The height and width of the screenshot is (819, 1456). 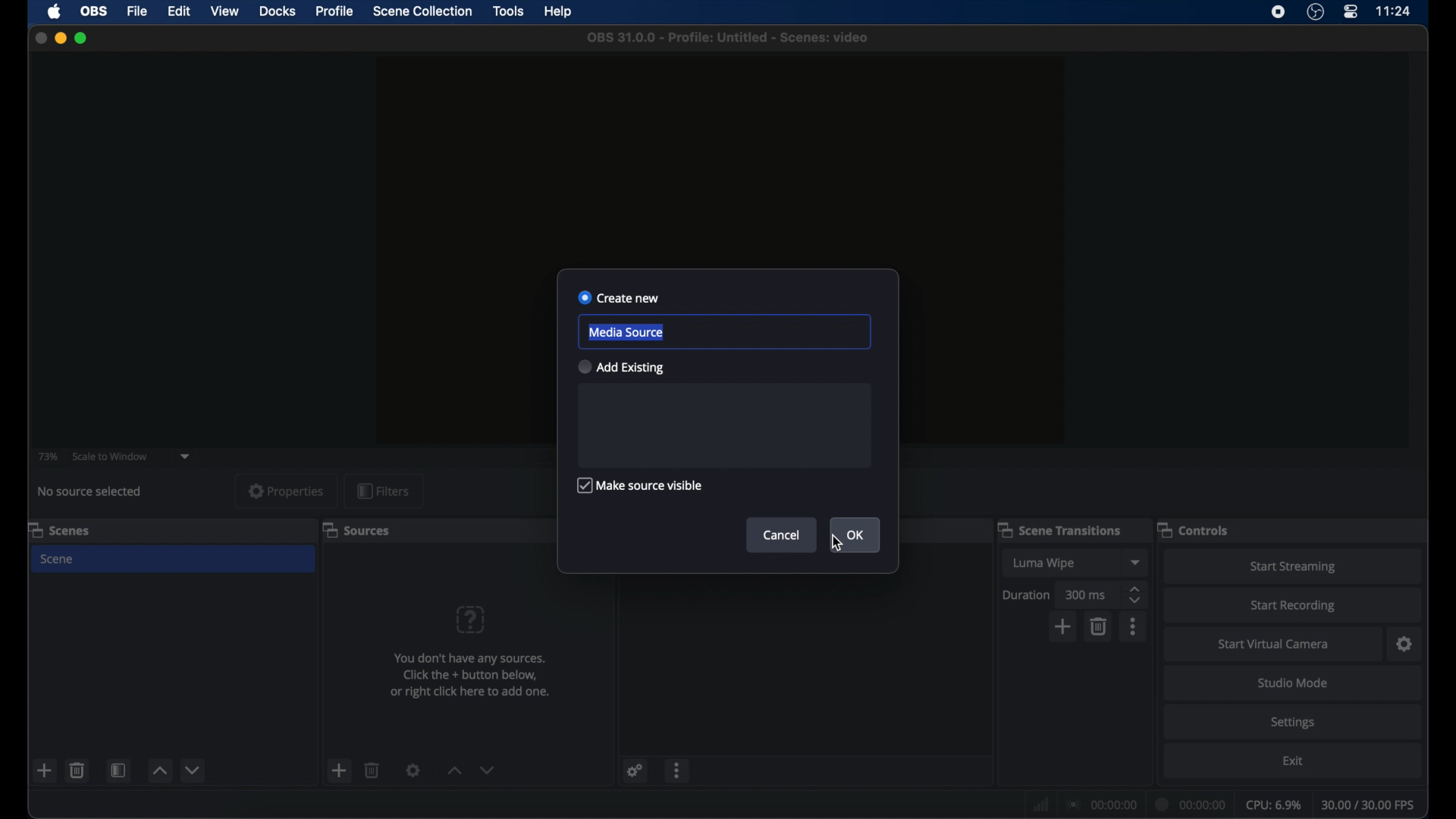 I want to click on settings, so click(x=1294, y=723).